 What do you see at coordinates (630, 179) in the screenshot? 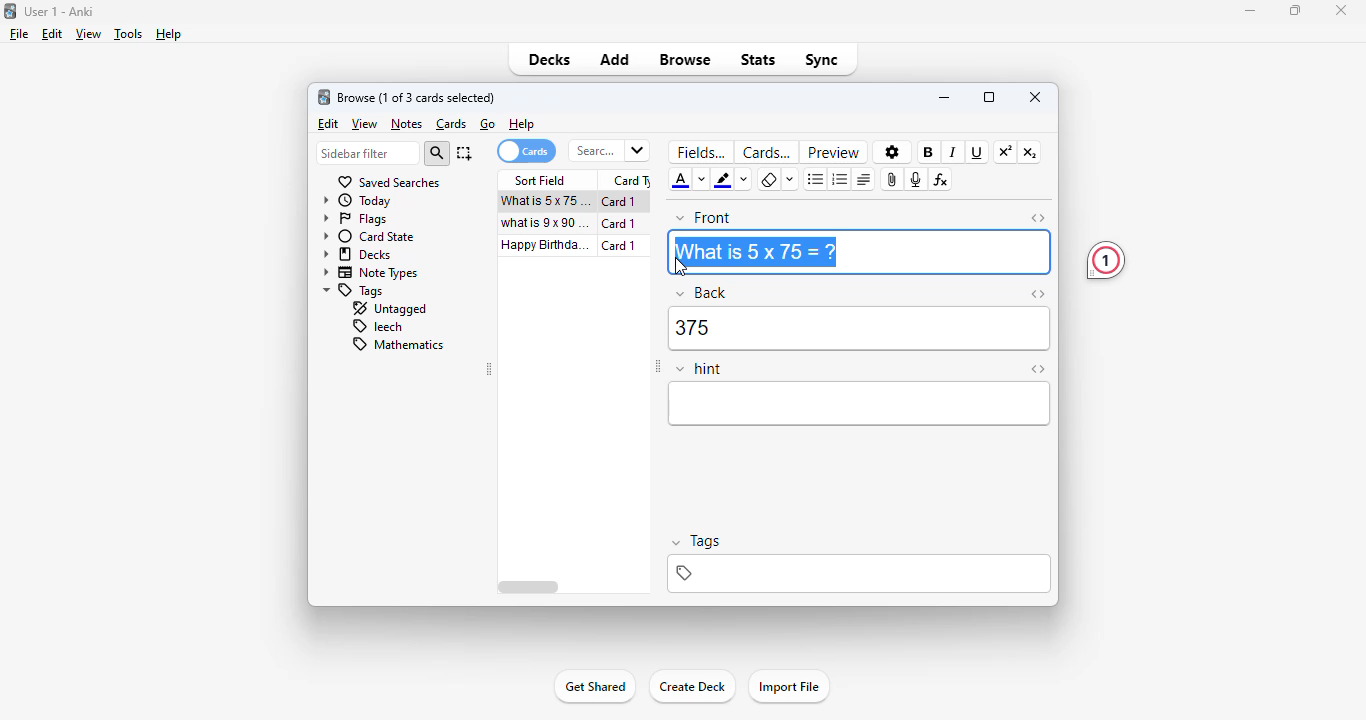
I see `card type` at bounding box center [630, 179].